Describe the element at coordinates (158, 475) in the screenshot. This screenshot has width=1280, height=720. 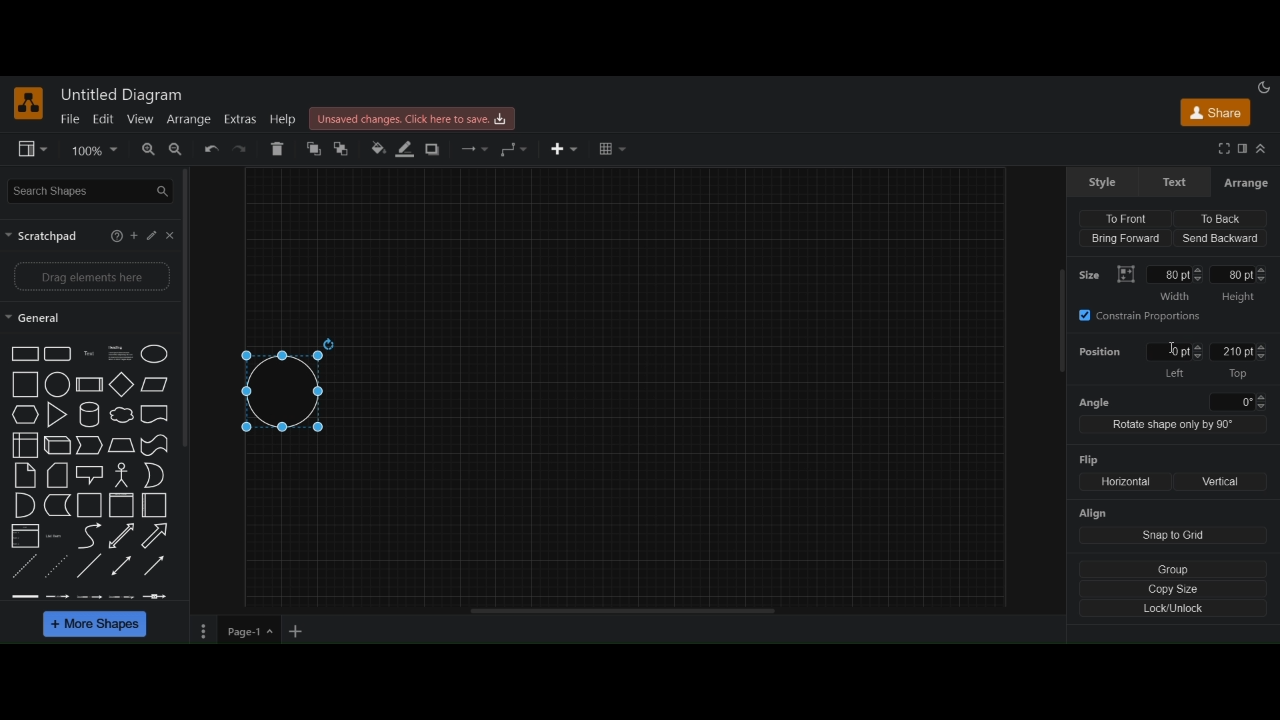
I see `Half moon` at that location.